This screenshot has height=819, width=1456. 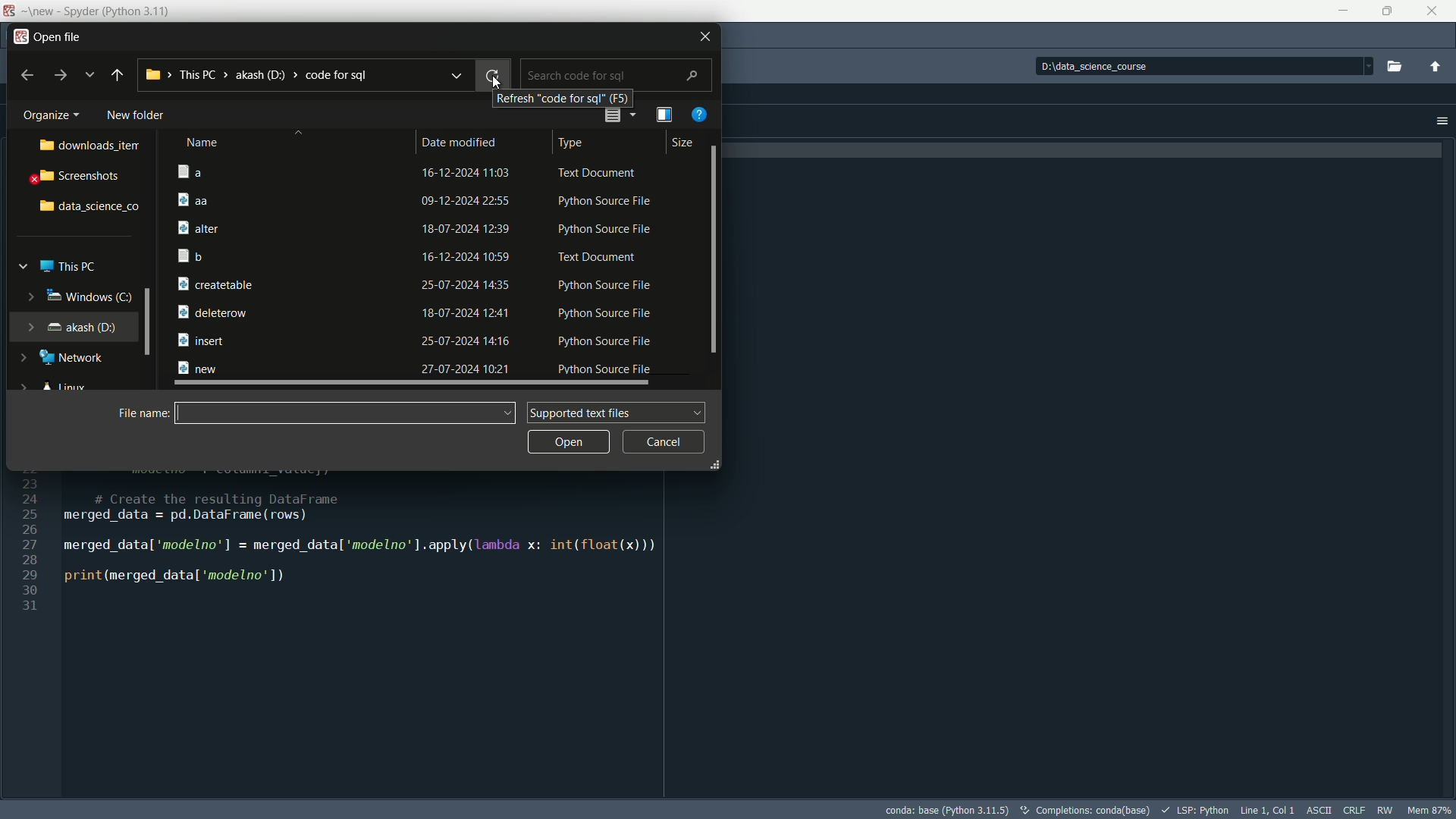 What do you see at coordinates (52, 116) in the screenshot?
I see `organize` at bounding box center [52, 116].